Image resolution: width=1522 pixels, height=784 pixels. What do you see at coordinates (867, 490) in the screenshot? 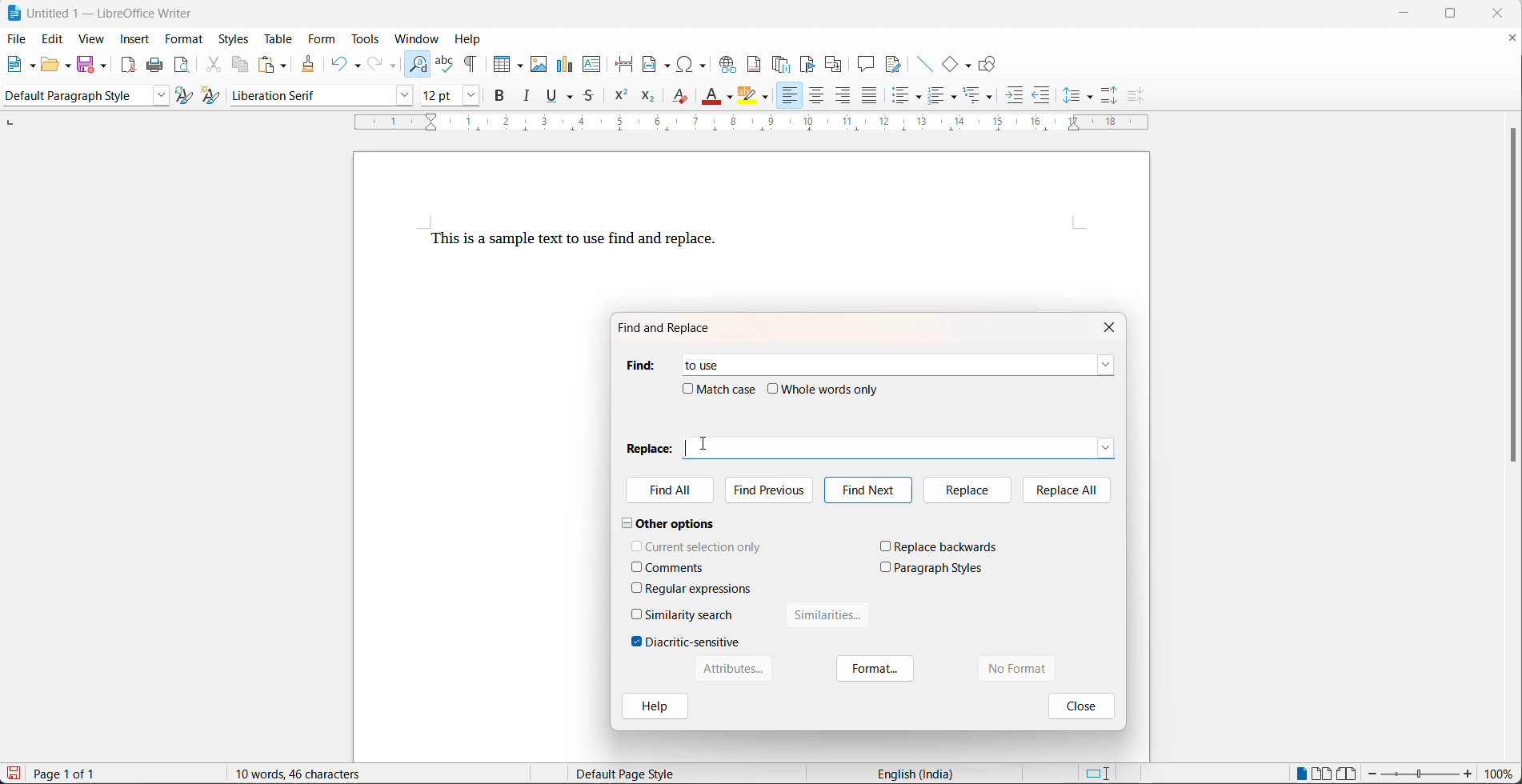
I see `find next` at bounding box center [867, 490].